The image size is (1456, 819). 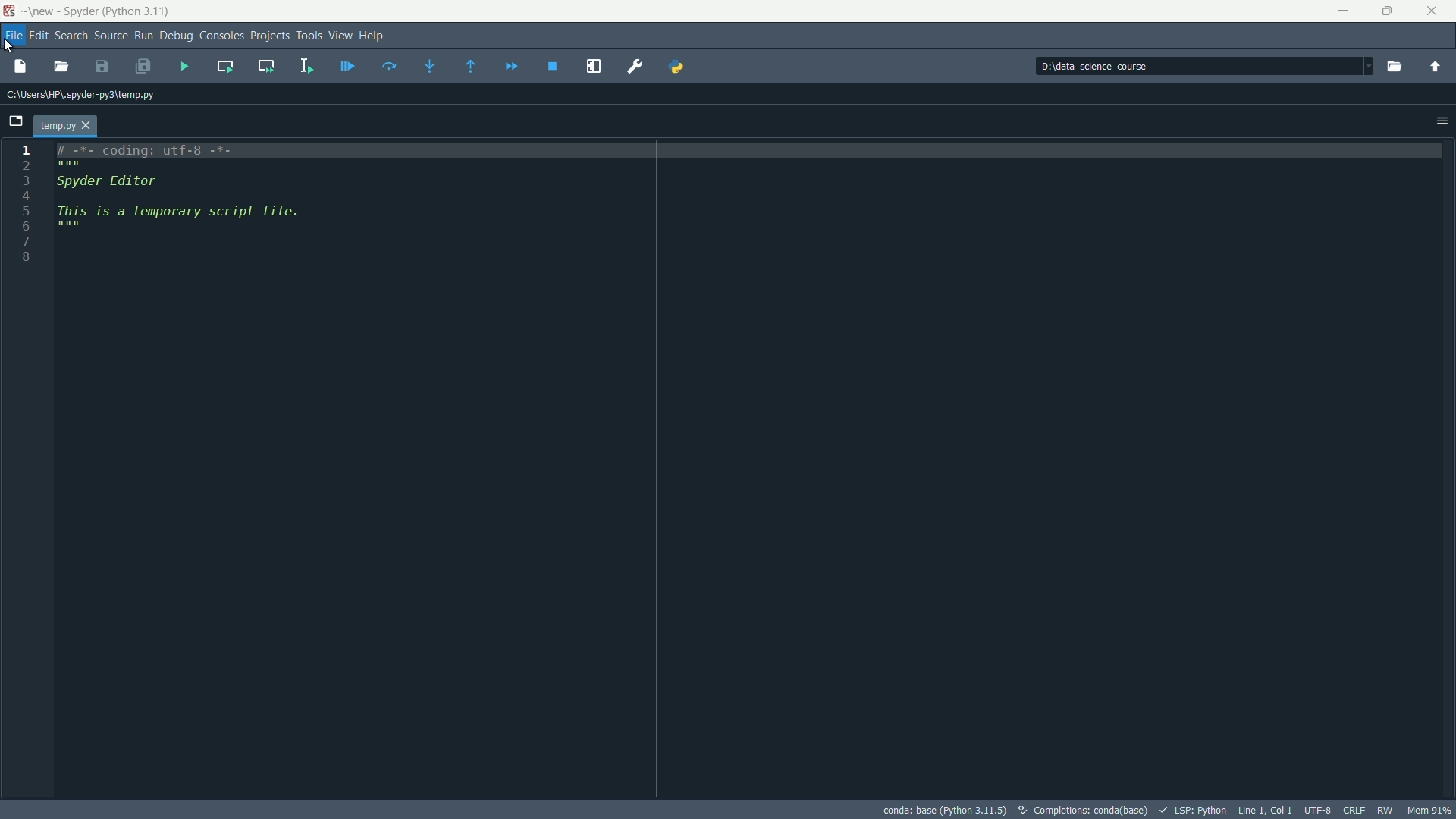 I want to click on file encoding, so click(x=1319, y=810).